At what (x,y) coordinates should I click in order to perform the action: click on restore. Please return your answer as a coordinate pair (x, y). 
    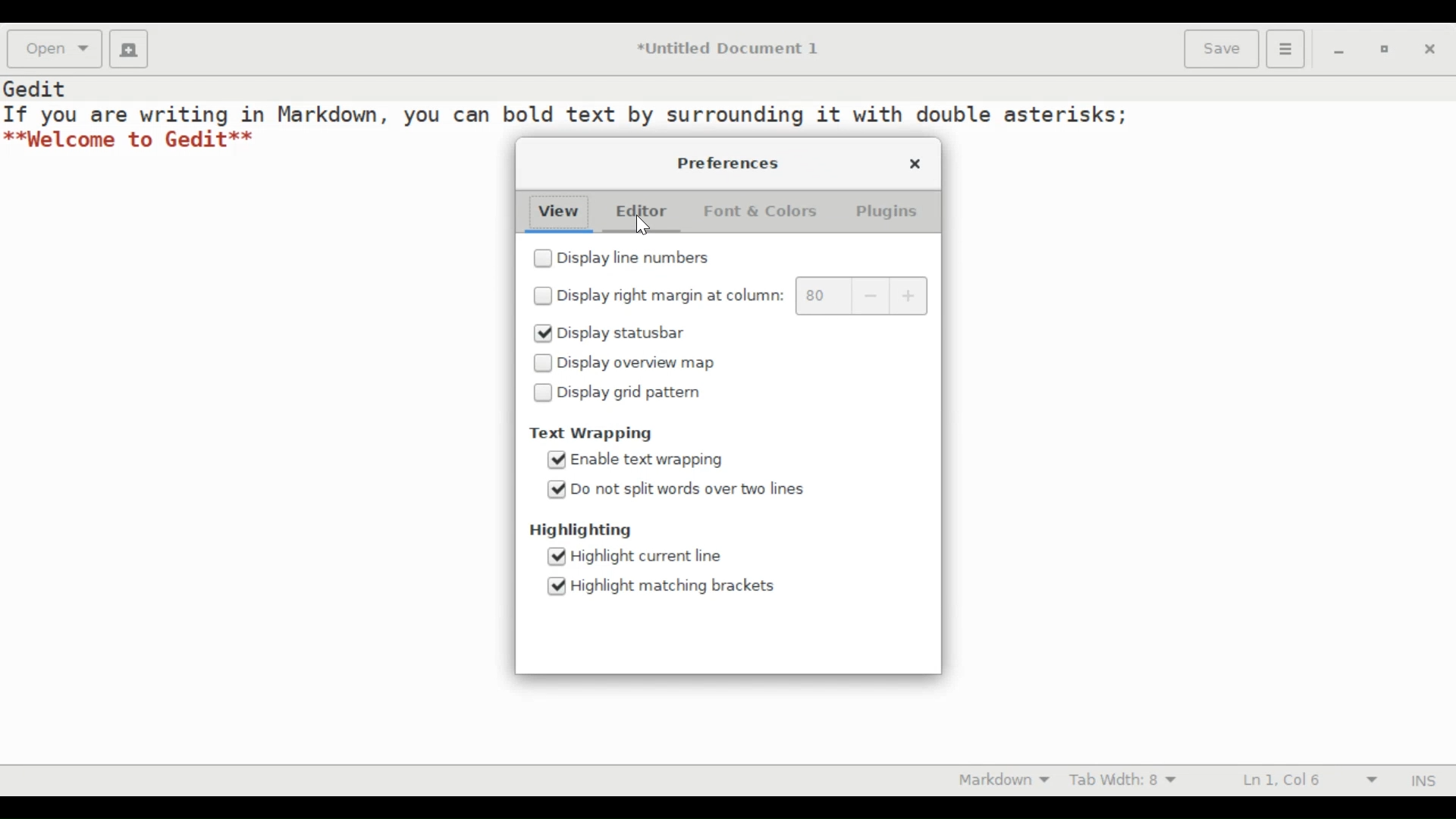
    Looking at the image, I should click on (1385, 51).